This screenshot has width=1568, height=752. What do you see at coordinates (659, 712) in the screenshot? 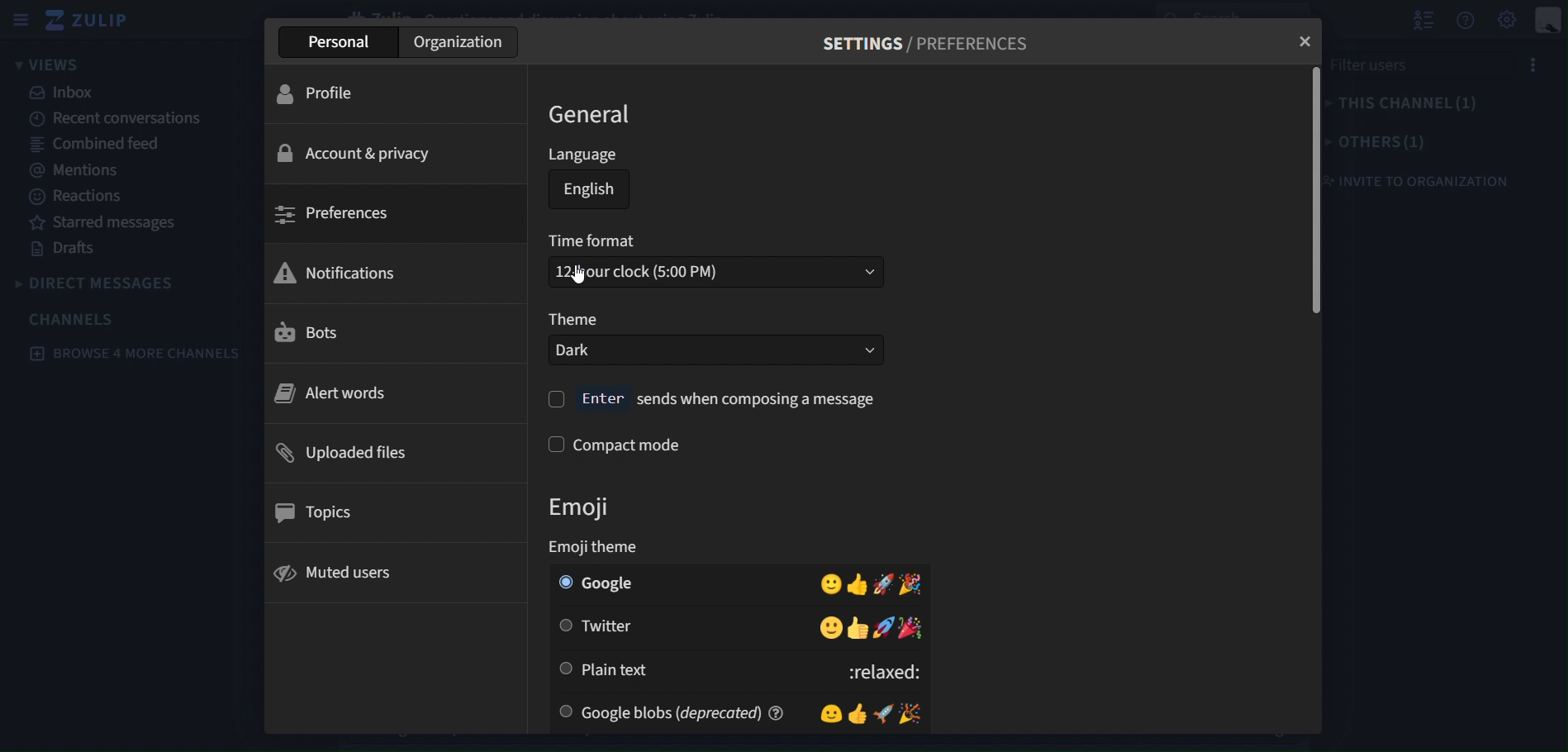
I see `google blobs (deprecated)` at bounding box center [659, 712].